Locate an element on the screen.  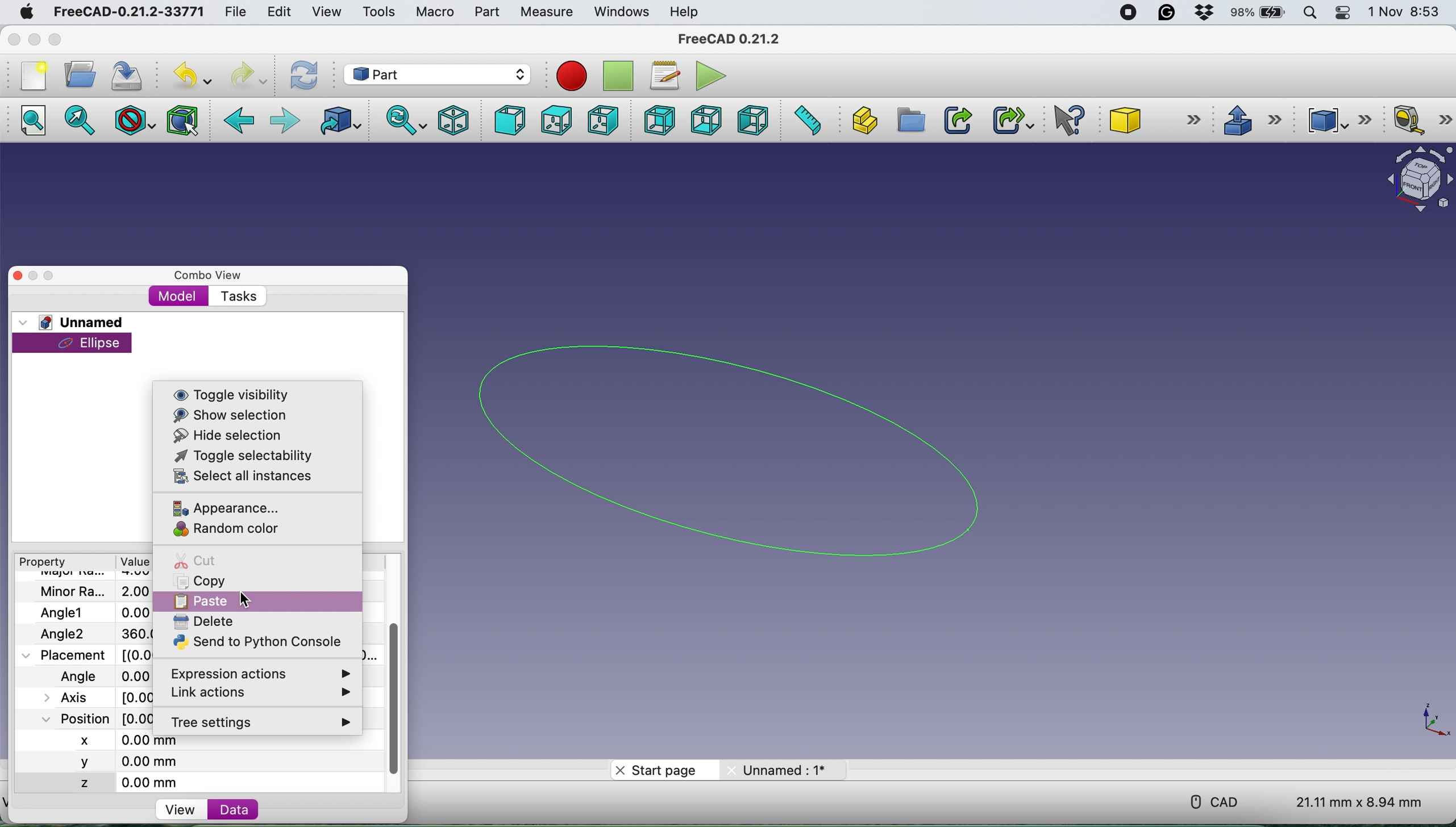
start page is located at coordinates (660, 770).